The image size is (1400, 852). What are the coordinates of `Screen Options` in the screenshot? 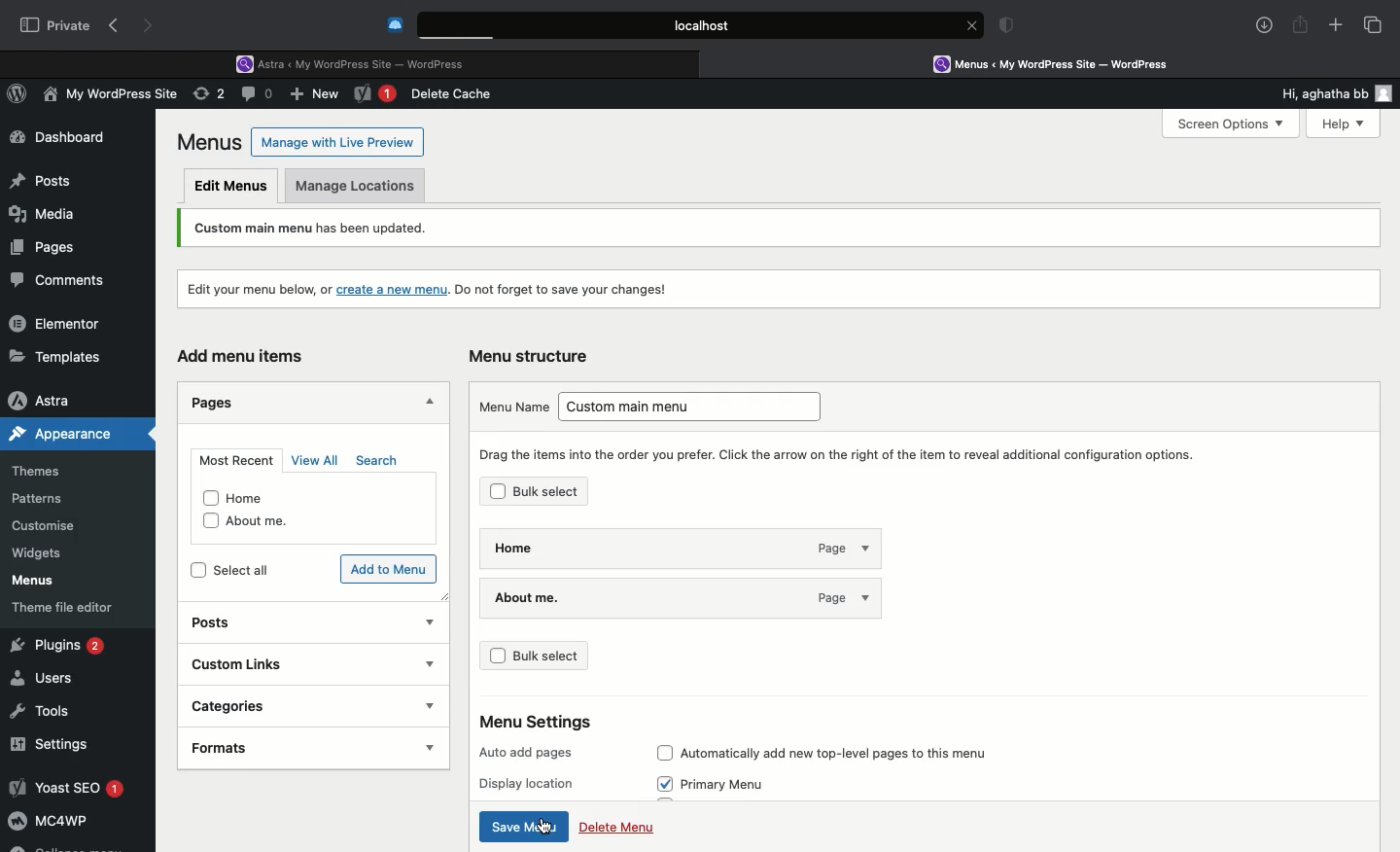 It's located at (1229, 124).